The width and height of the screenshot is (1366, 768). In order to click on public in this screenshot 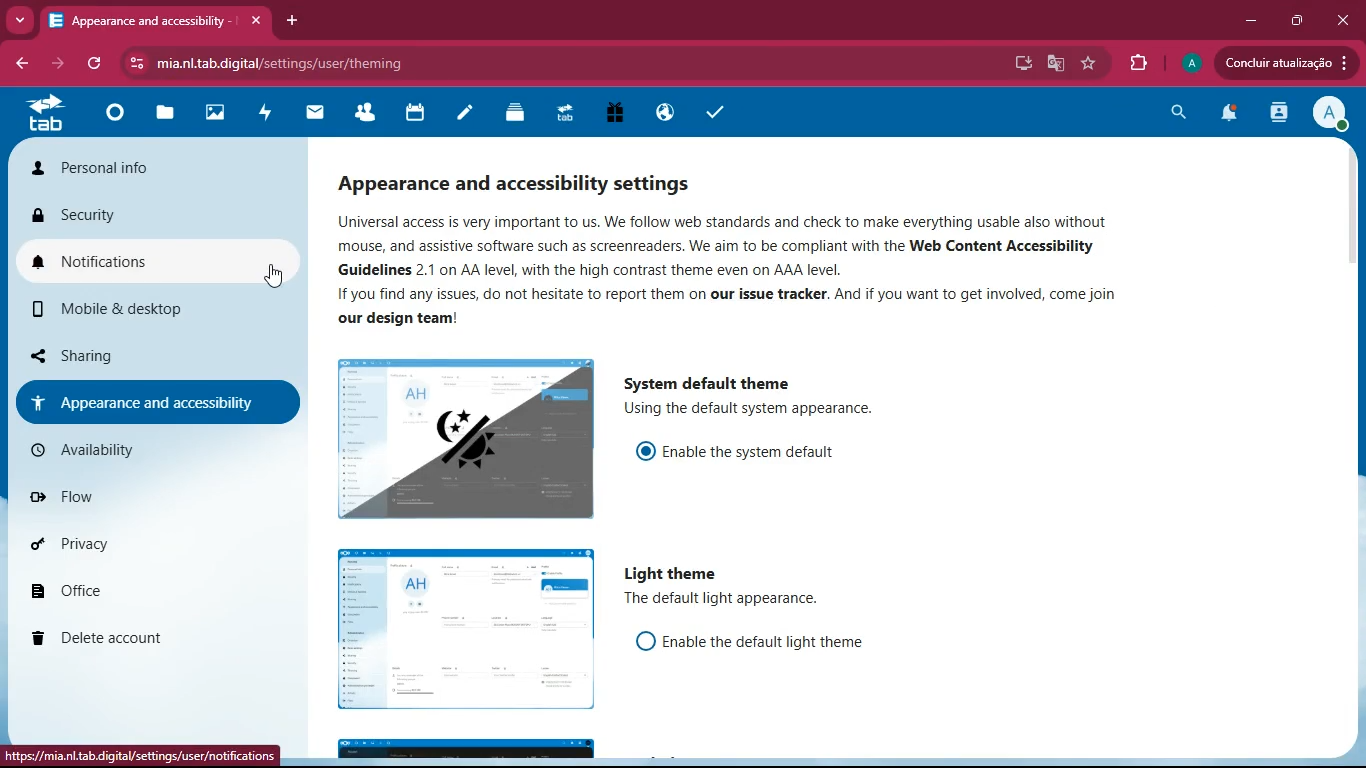, I will do `click(669, 113)`.